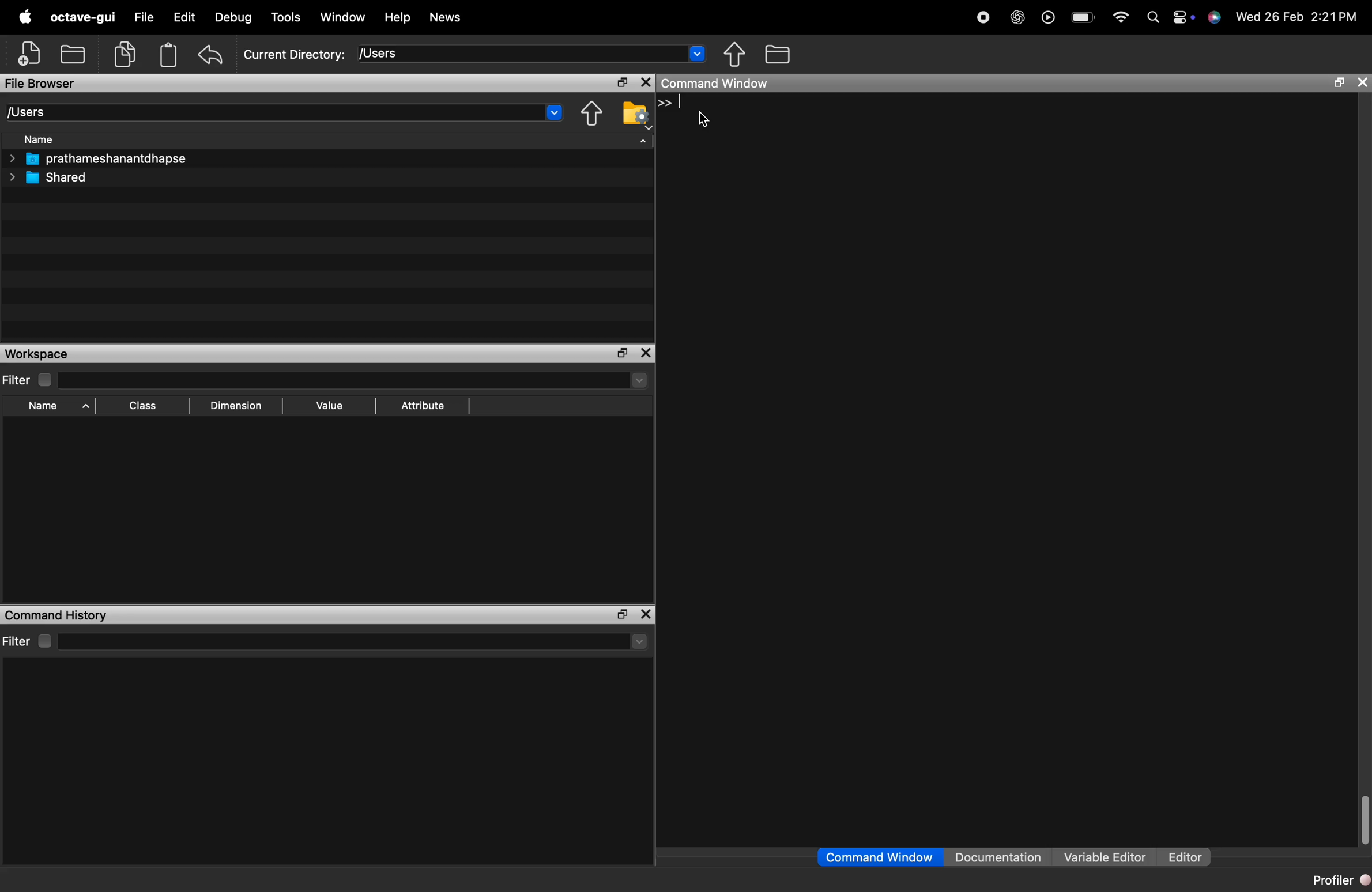 This screenshot has width=1372, height=892. What do you see at coordinates (644, 82) in the screenshot?
I see `close` at bounding box center [644, 82].